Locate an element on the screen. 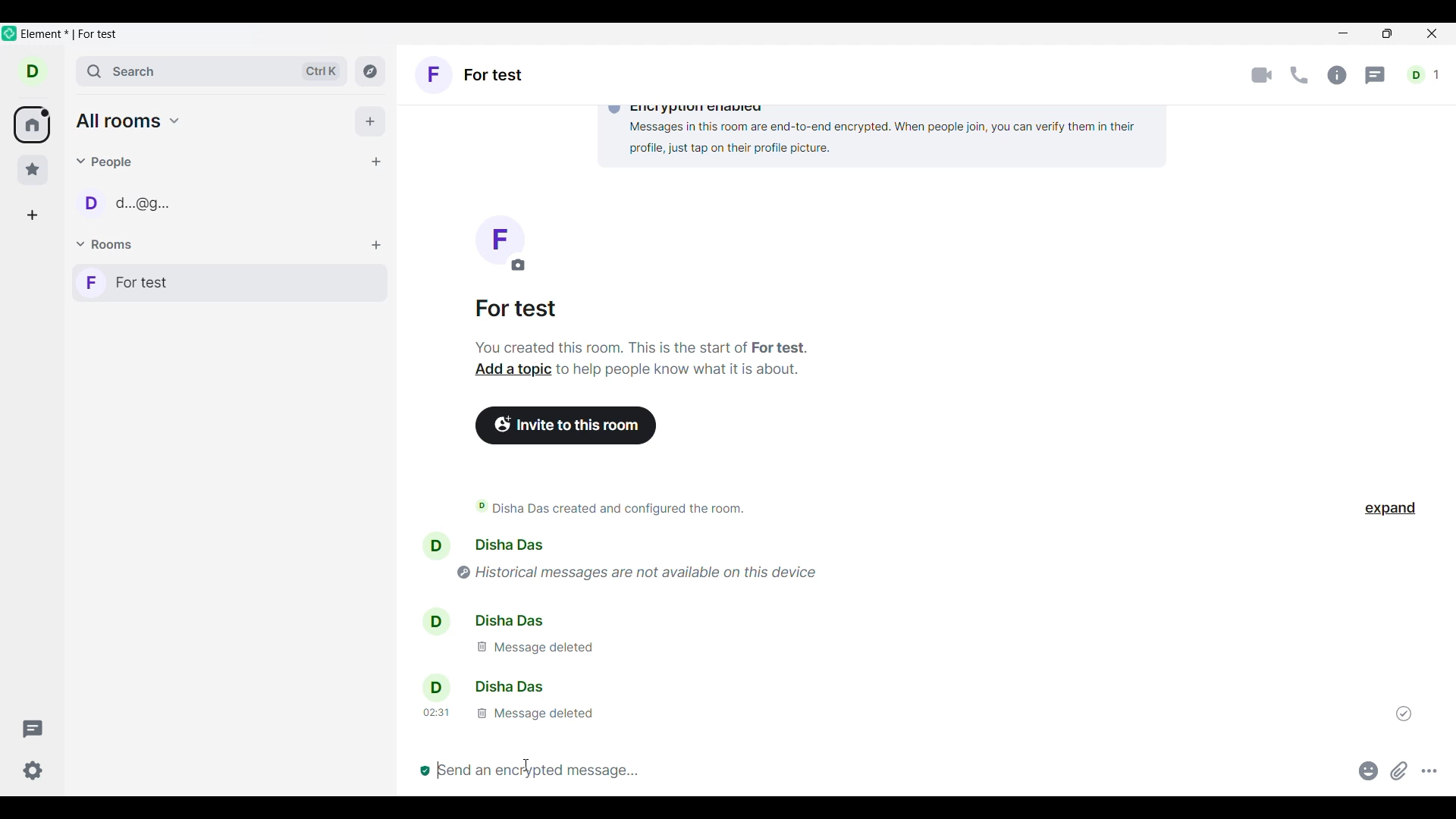  F  Fortest is located at coordinates (488, 78).